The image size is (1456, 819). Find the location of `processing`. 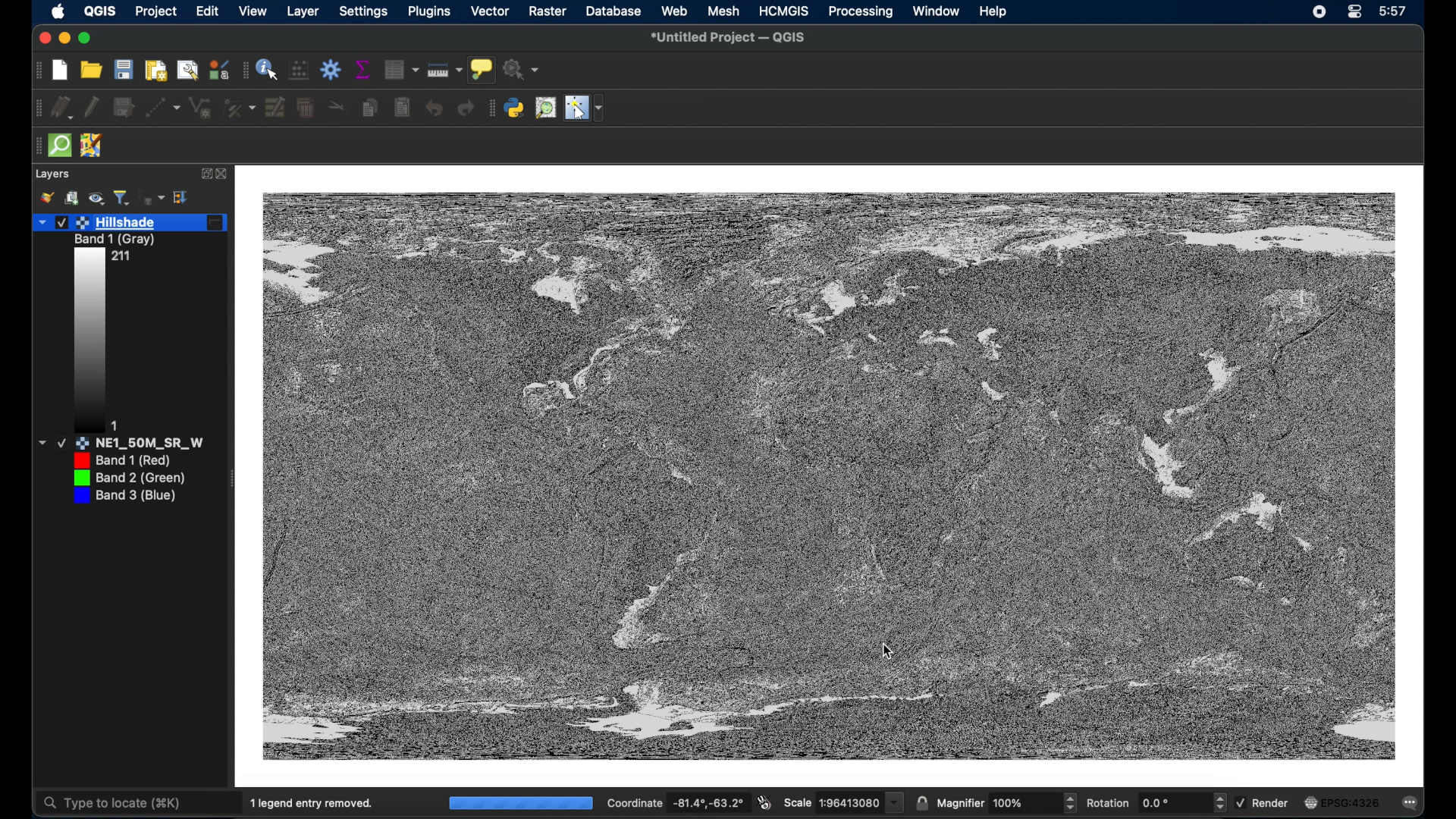

processing is located at coordinates (861, 13).